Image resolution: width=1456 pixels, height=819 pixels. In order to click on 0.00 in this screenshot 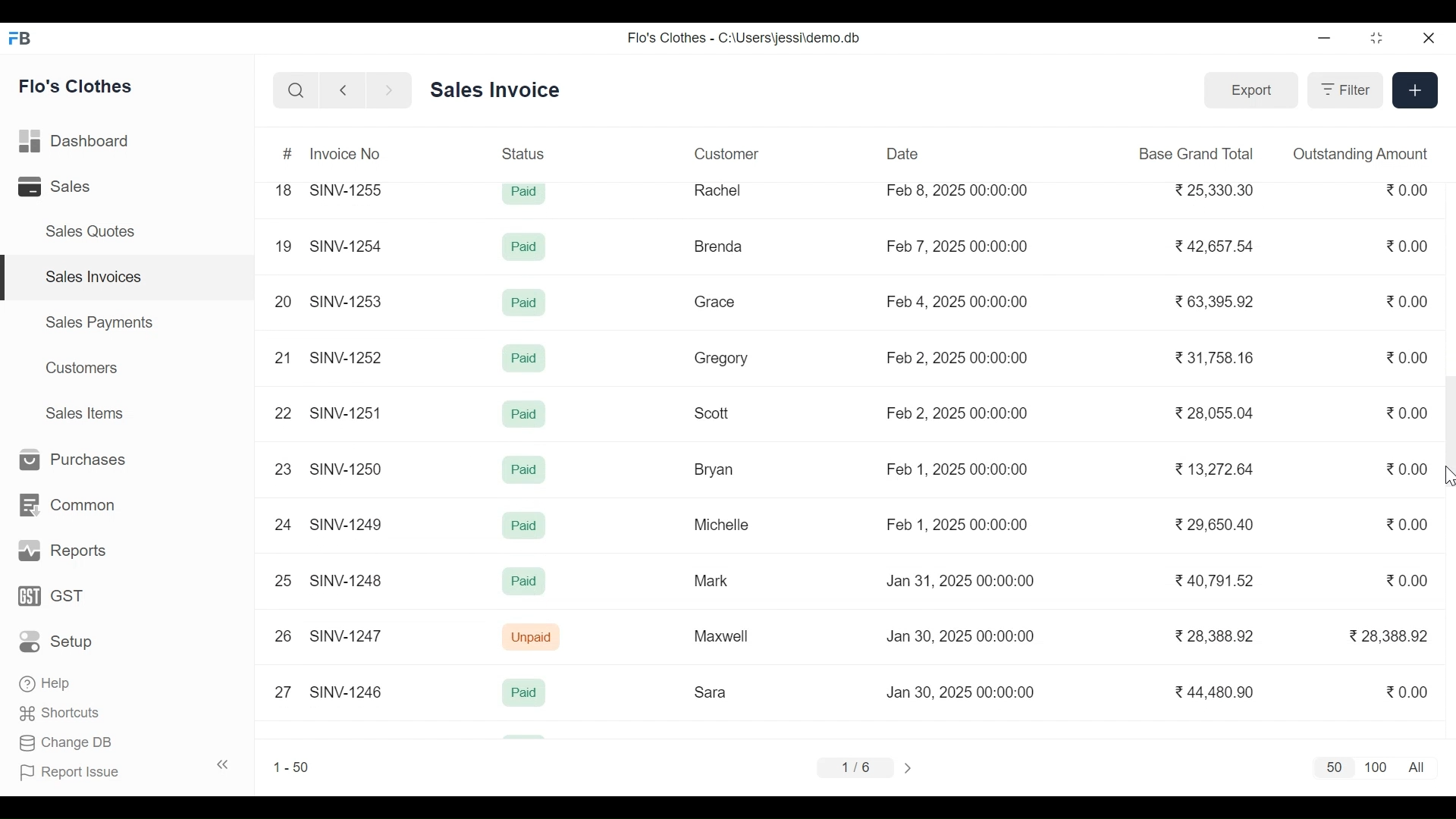, I will do `click(1408, 523)`.